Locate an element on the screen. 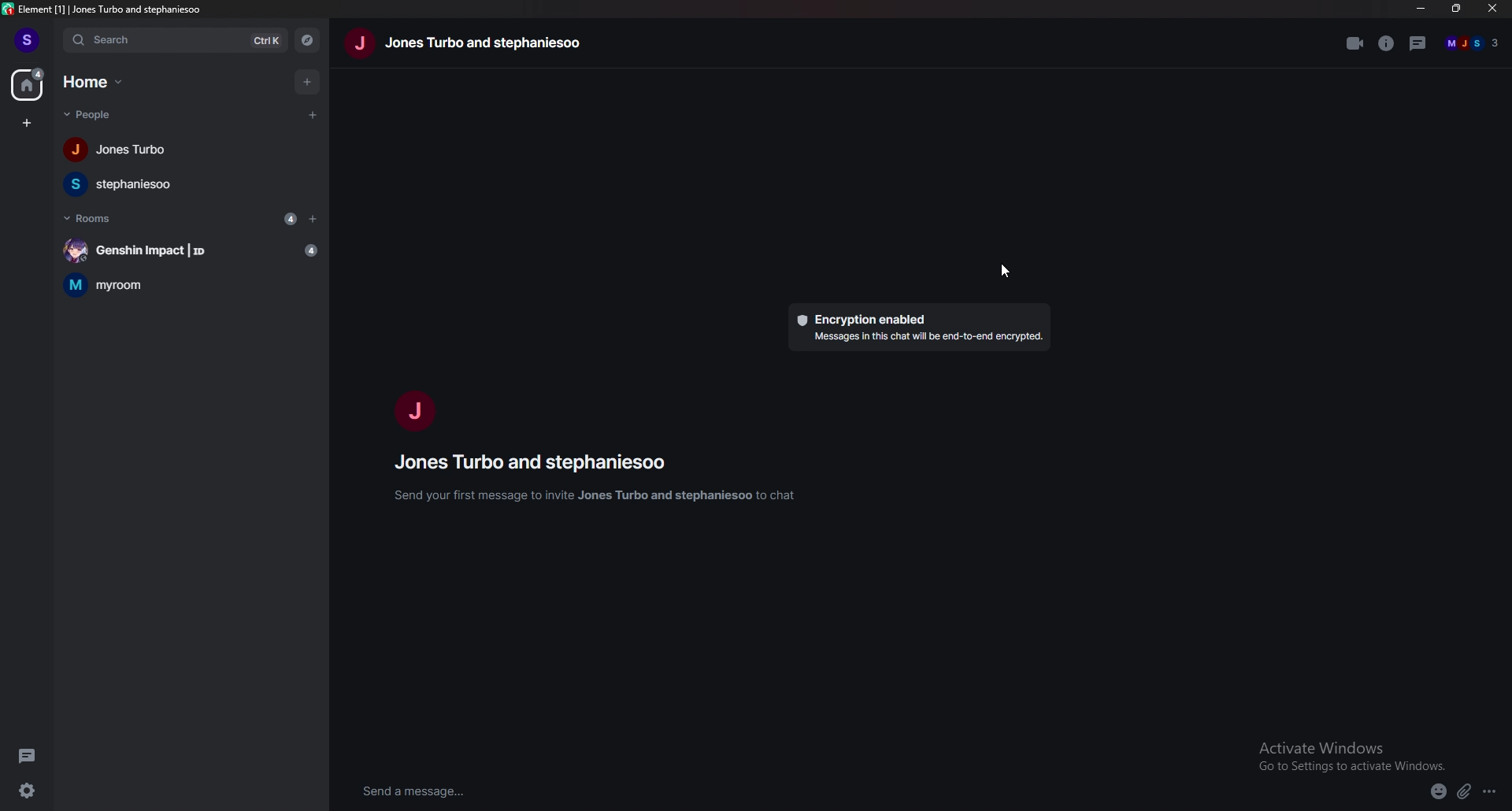 This screenshot has height=811, width=1512. s is located at coordinates (28, 39).